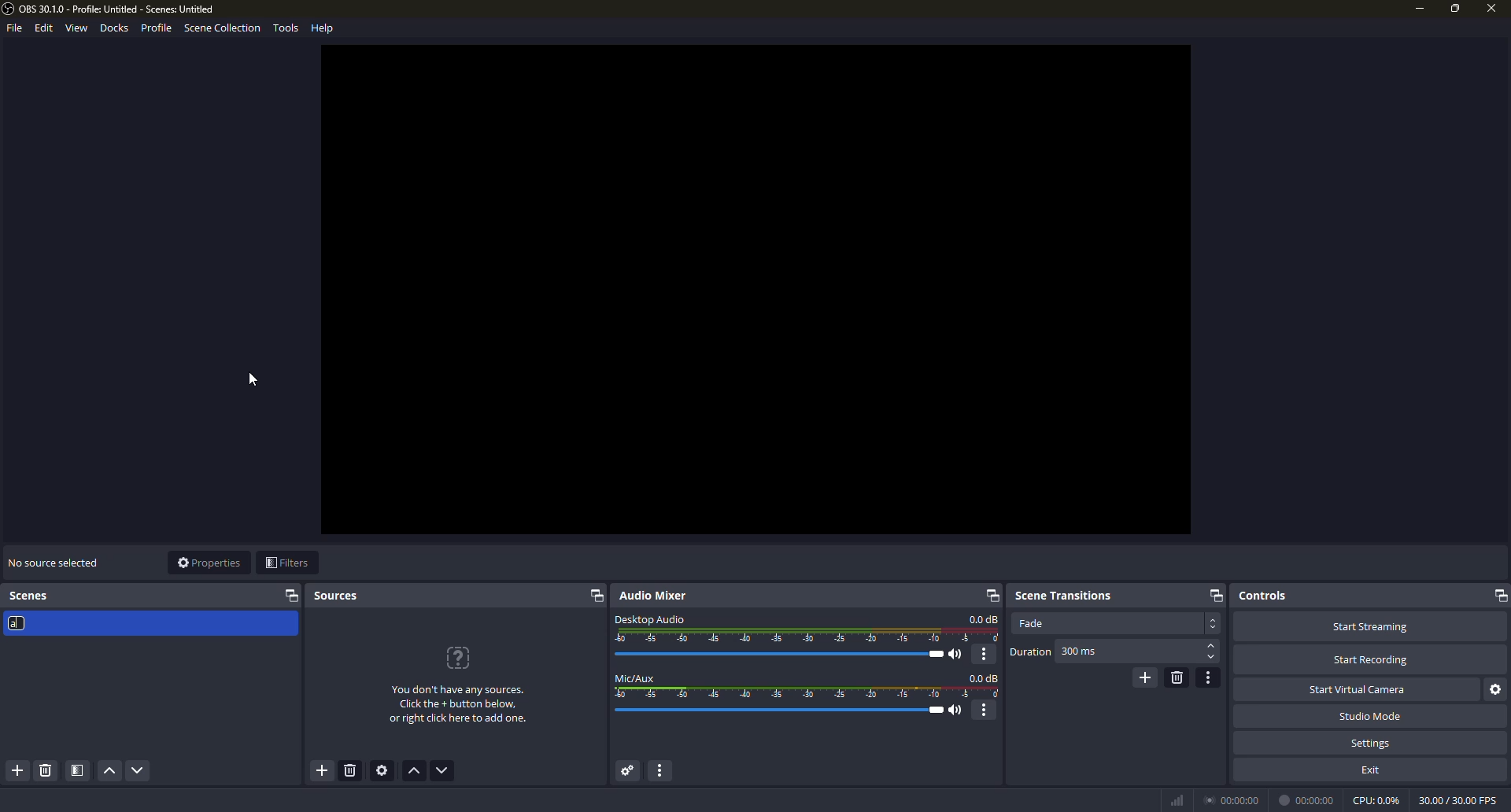 The image size is (1511, 812). What do you see at coordinates (222, 30) in the screenshot?
I see `scene collection` at bounding box center [222, 30].